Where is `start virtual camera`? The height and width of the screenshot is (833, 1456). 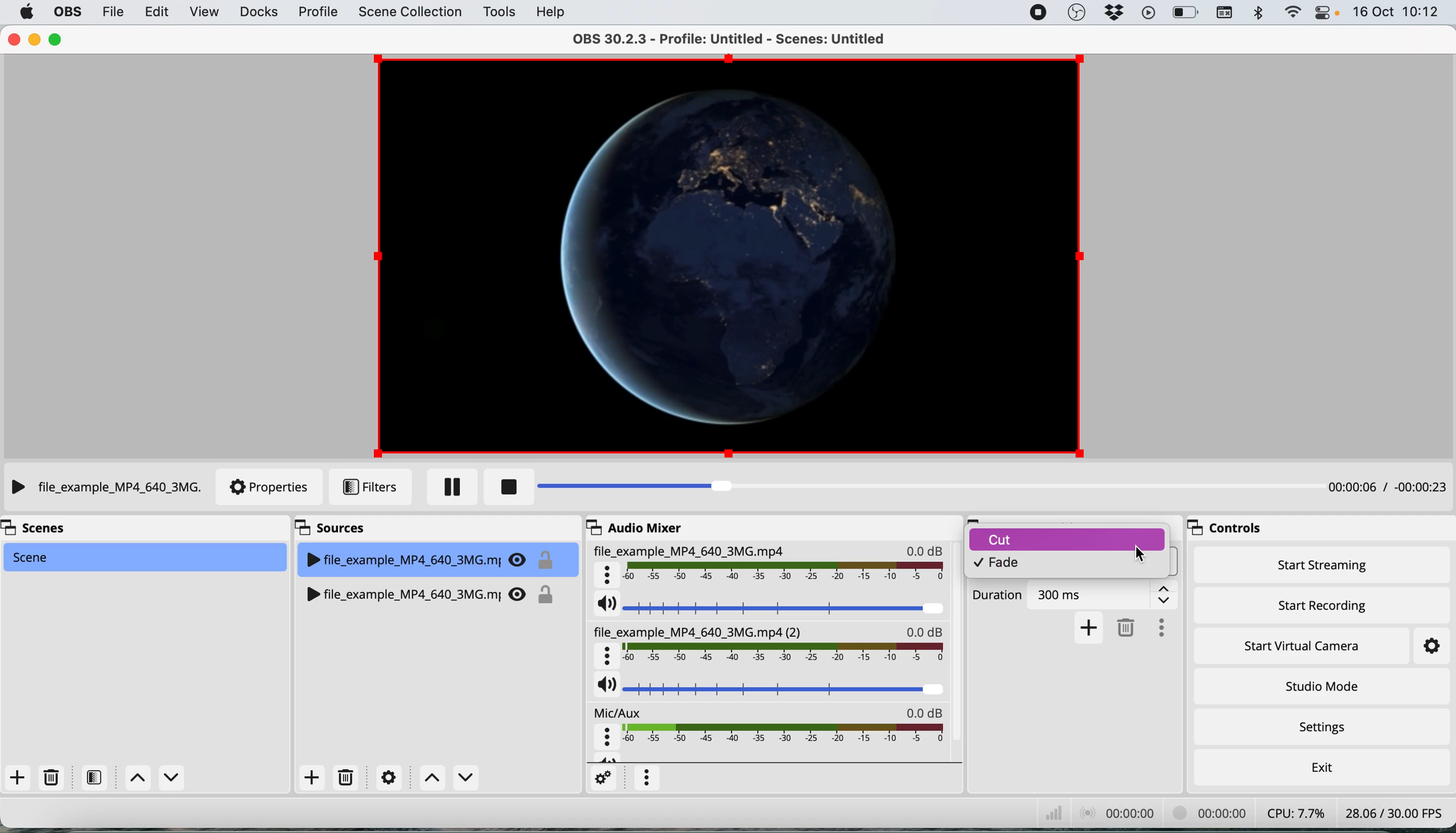 start virtual camera is located at coordinates (1305, 646).